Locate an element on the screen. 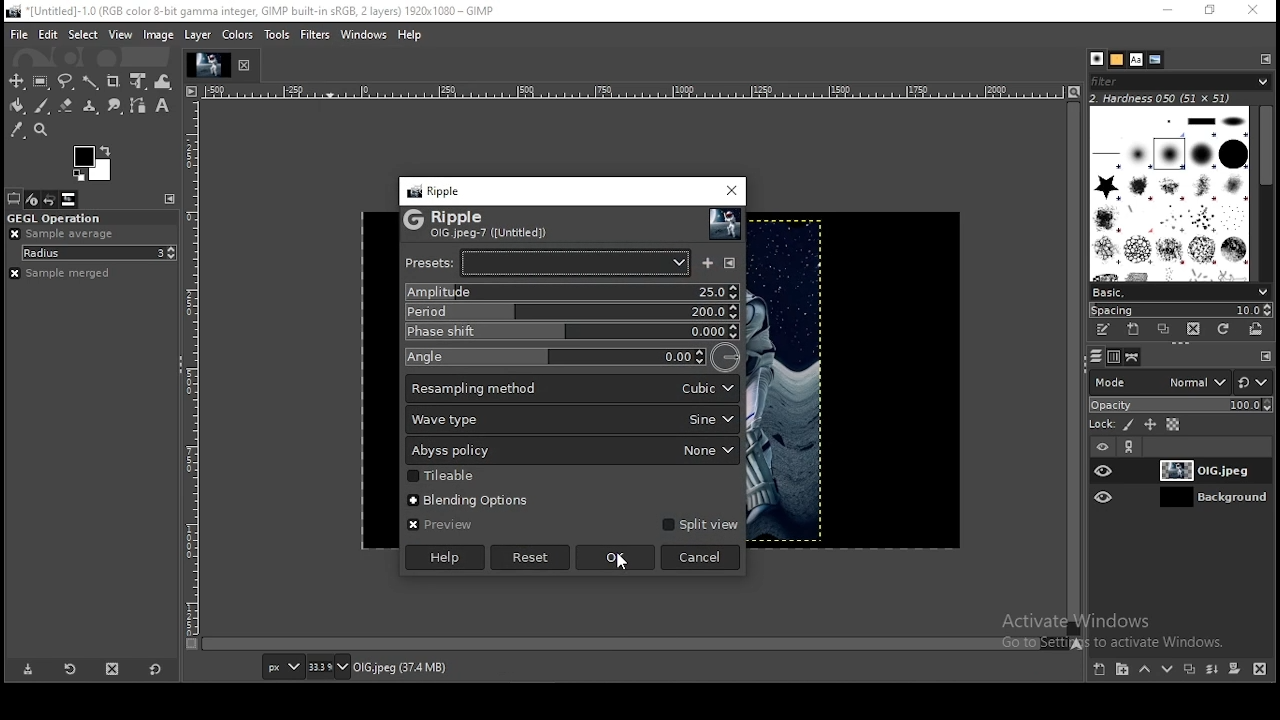 The image size is (1280, 720). paths tool is located at coordinates (138, 106).